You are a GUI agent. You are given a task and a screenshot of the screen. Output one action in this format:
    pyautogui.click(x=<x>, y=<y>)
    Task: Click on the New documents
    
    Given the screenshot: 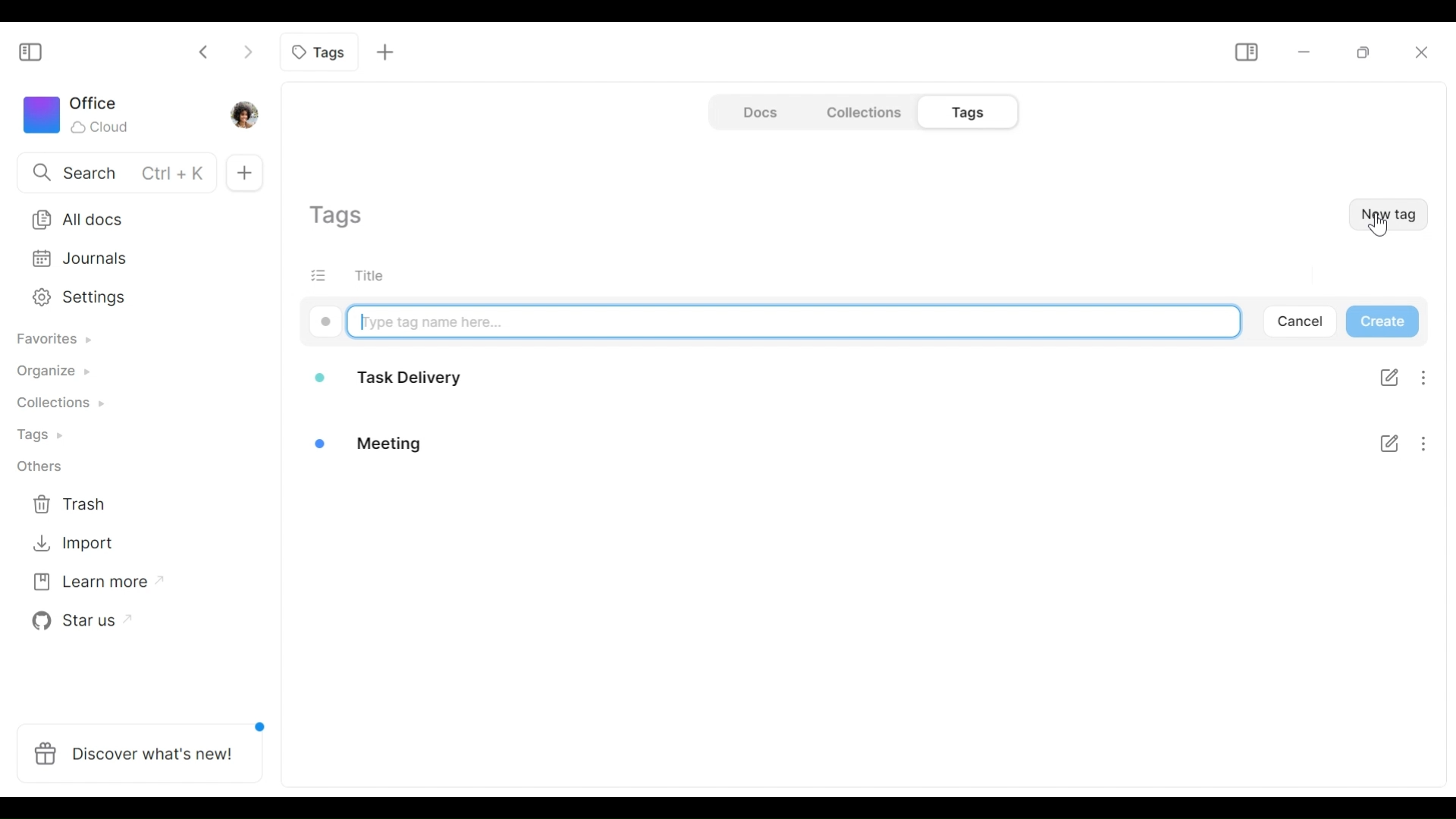 What is the action you would take?
    pyautogui.click(x=243, y=168)
    